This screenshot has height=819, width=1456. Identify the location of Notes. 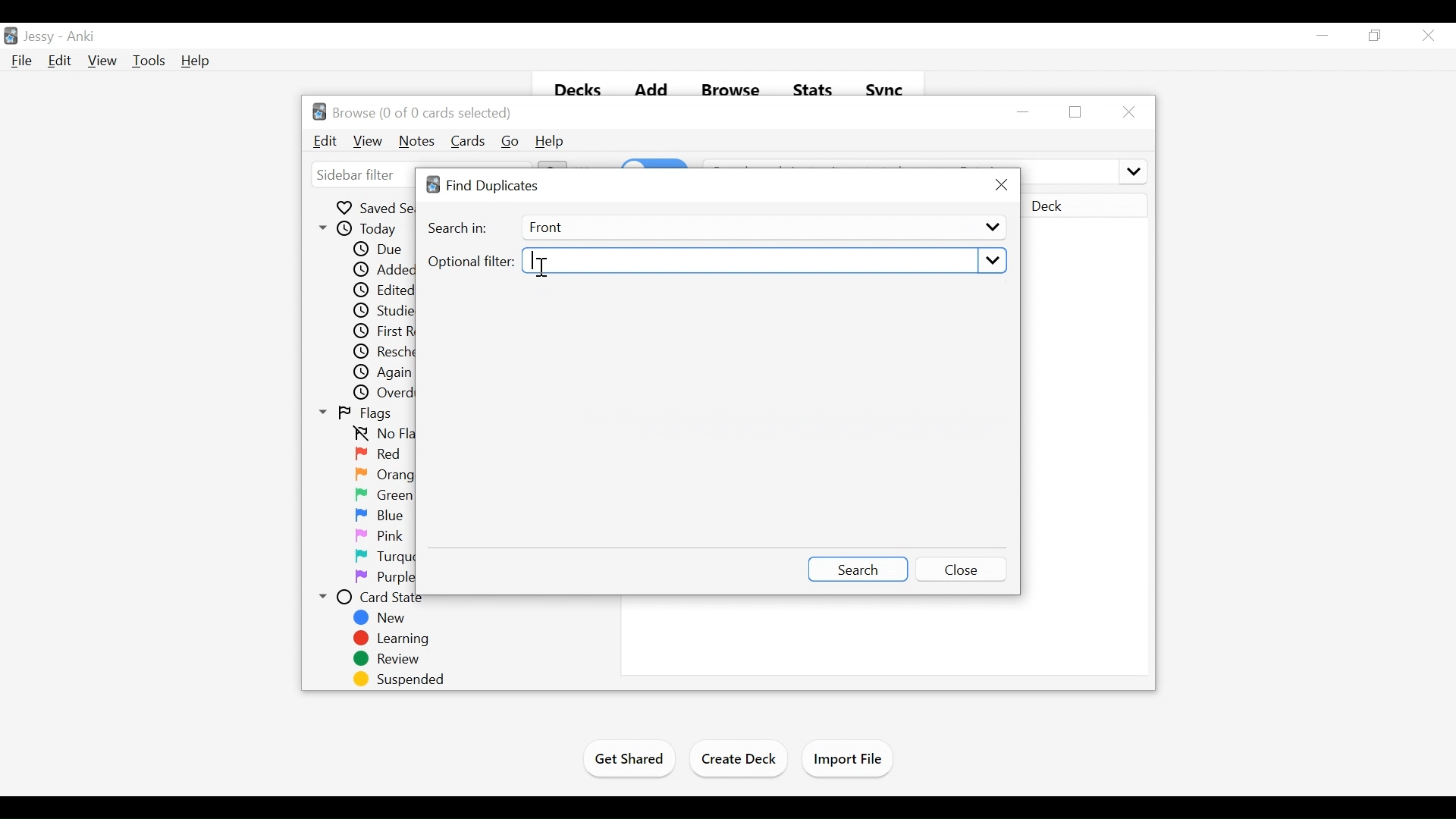
(417, 142).